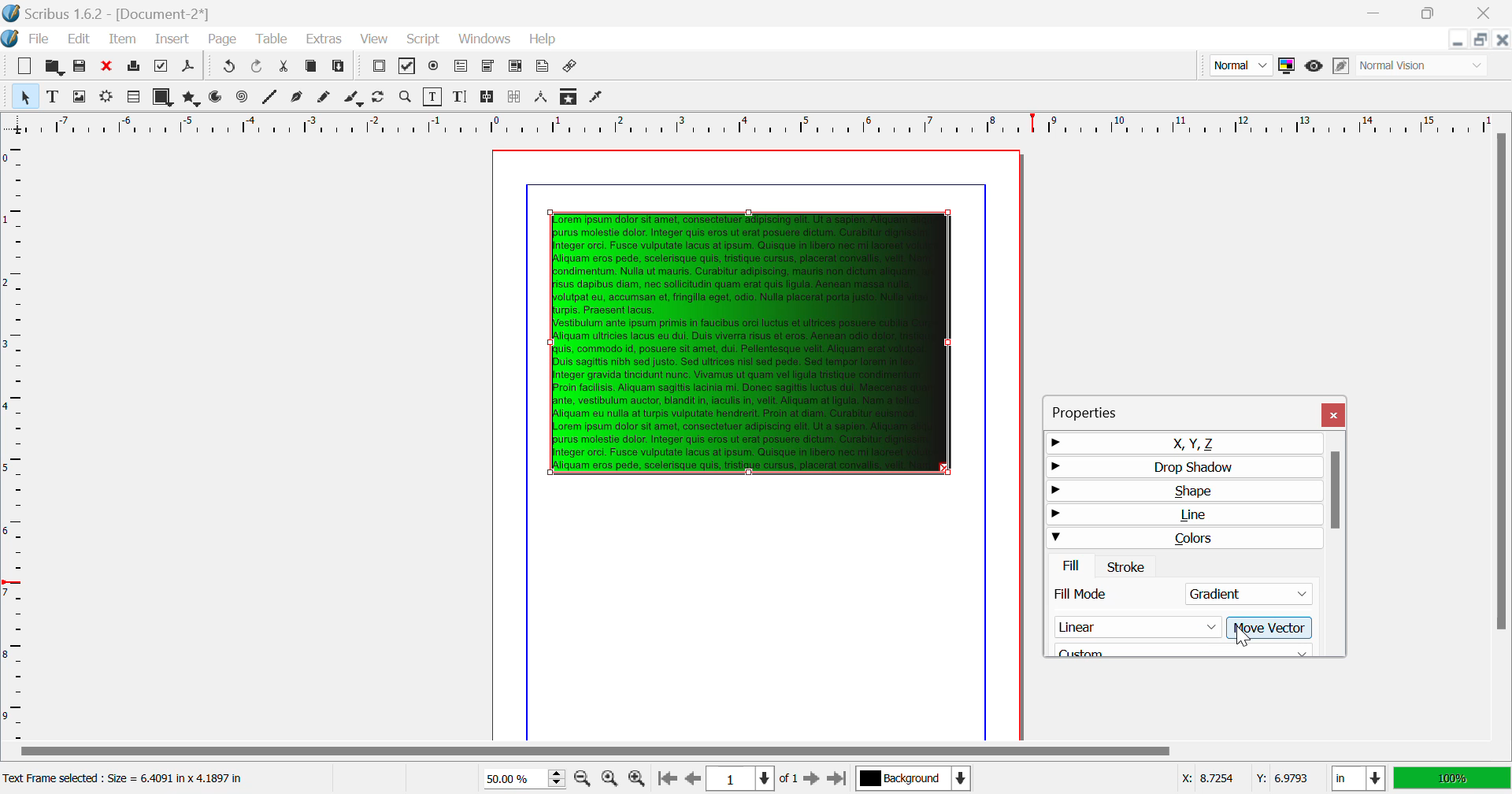 Image resolution: width=1512 pixels, height=794 pixels. Describe the element at coordinates (518, 778) in the screenshot. I see `Zoom 50%` at that location.